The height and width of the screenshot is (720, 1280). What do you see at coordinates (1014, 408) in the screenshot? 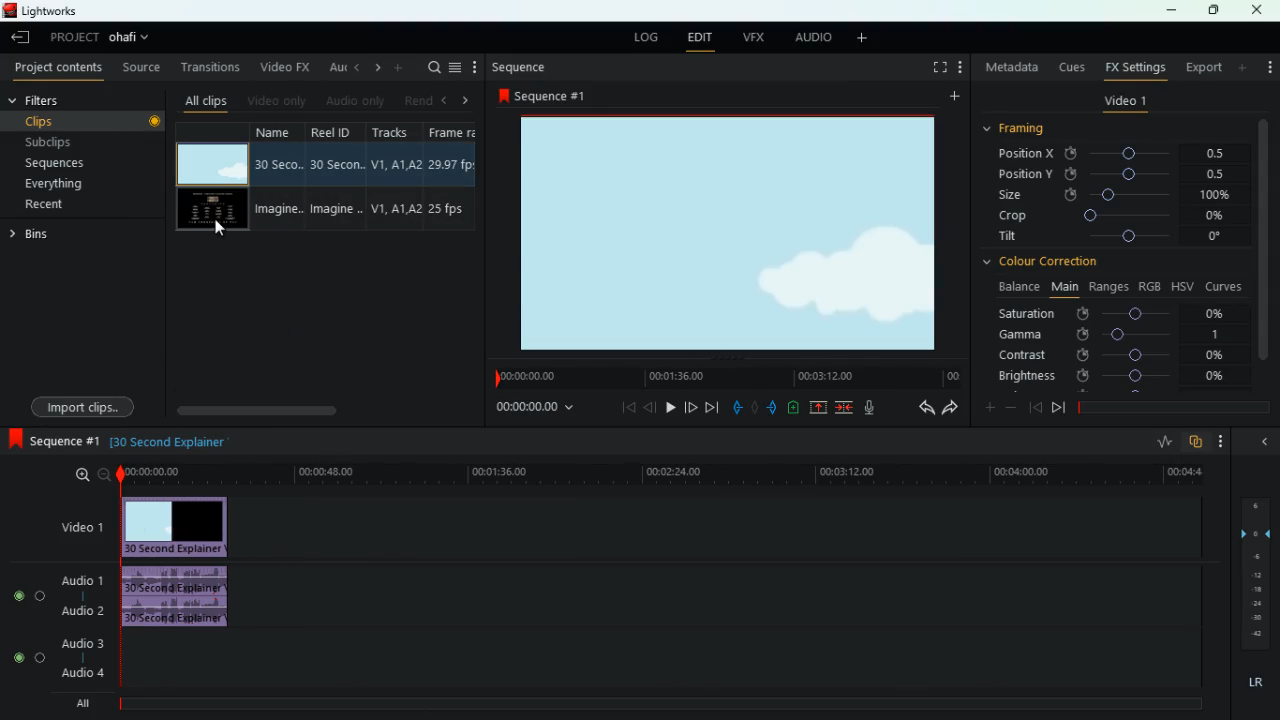
I see `minus` at bounding box center [1014, 408].